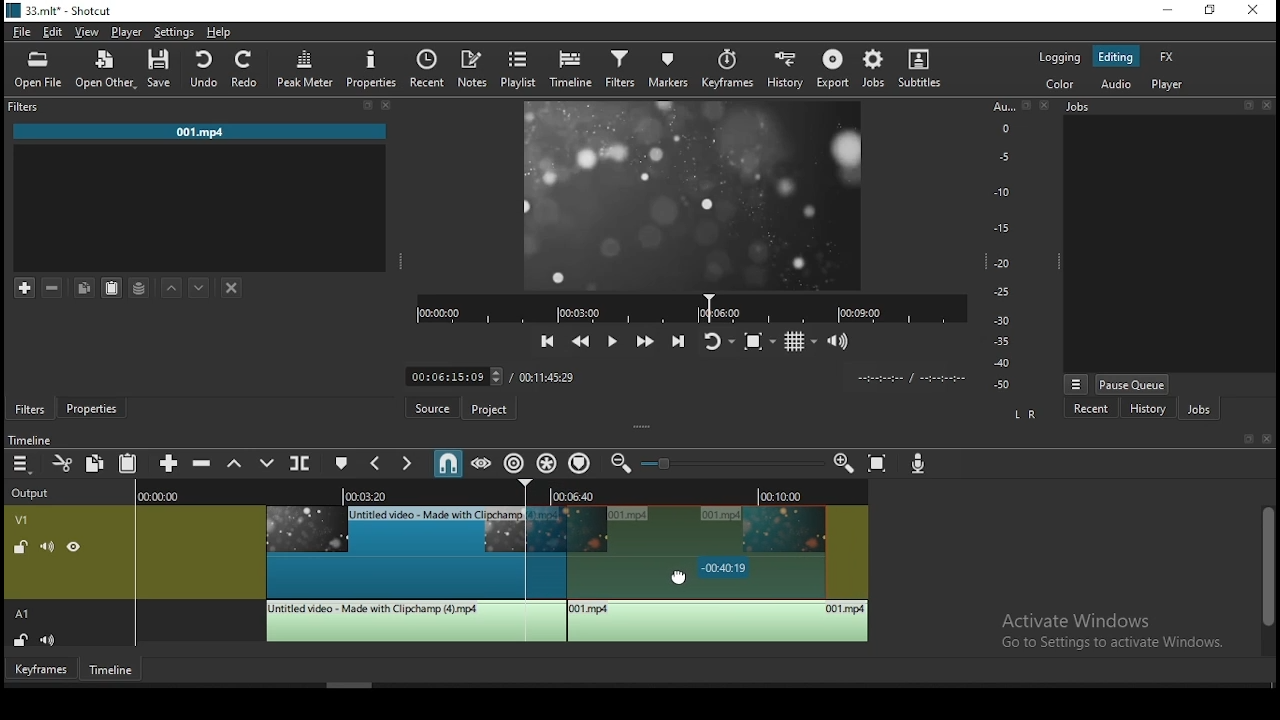 The width and height of the screenshot is (1280, 720). I want to click on output, so click(35, 491).